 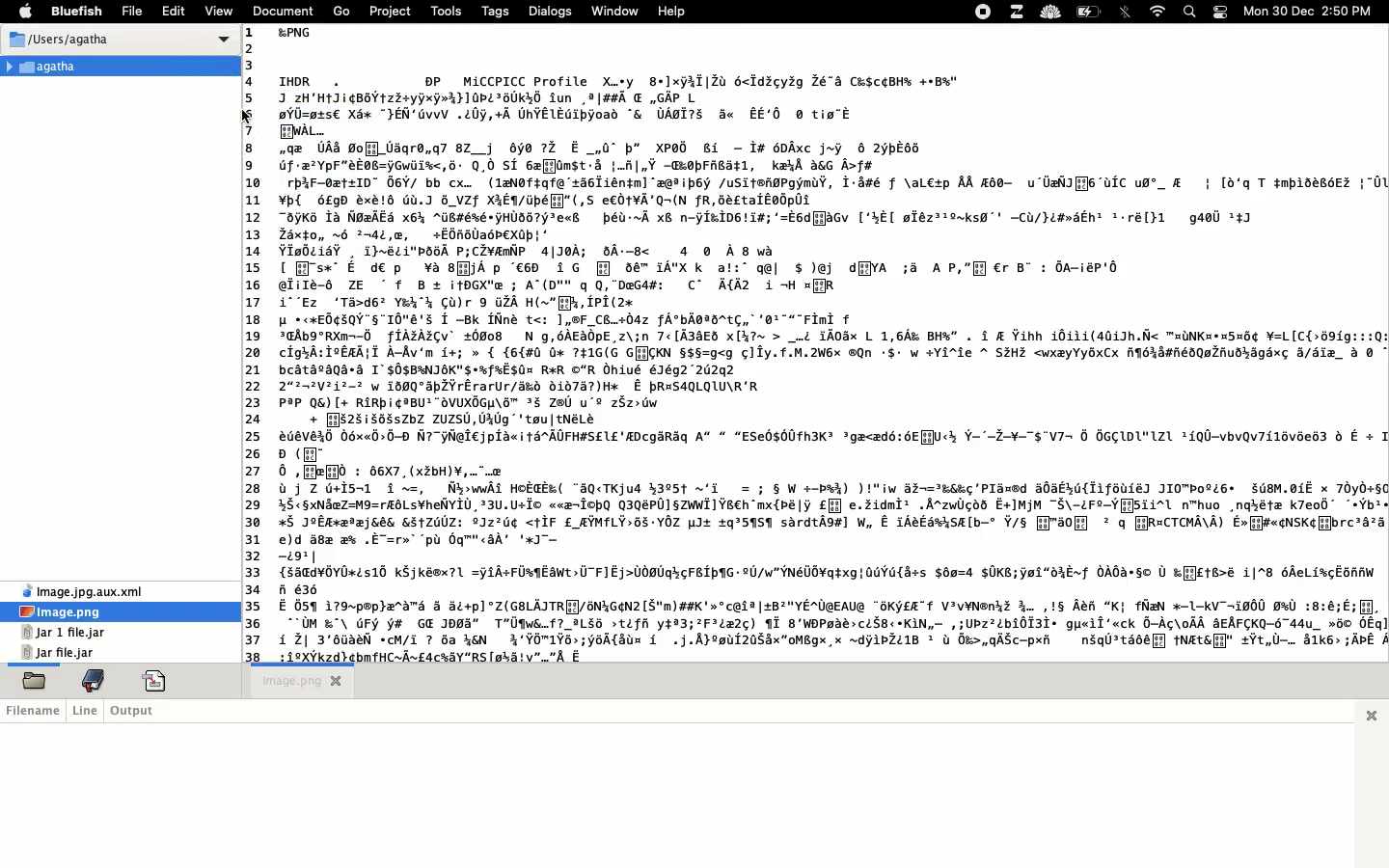 I want to click on filename, so click(x=35, y=711).